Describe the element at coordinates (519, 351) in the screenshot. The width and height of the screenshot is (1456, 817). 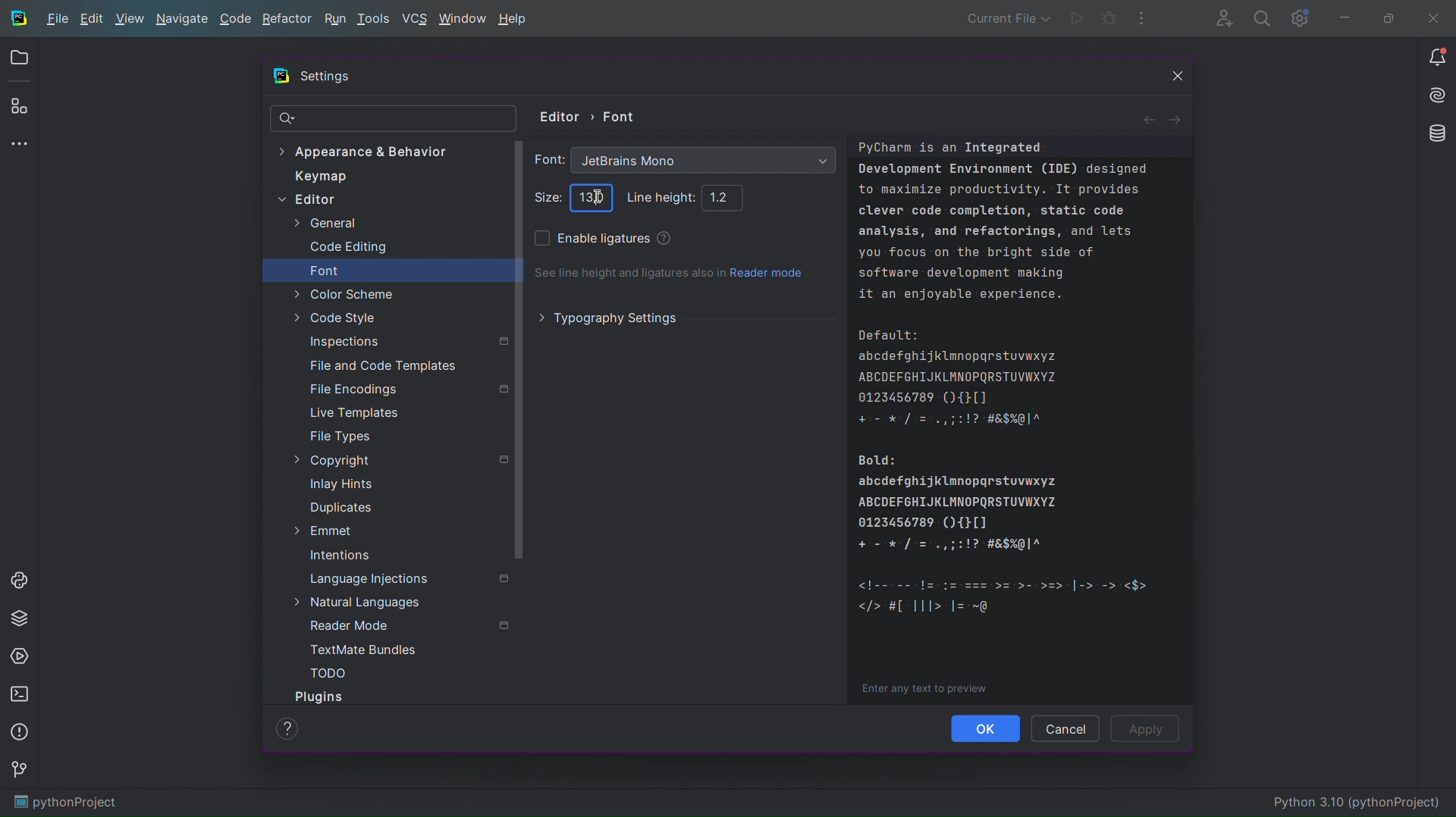
I see `Scrollbar` at that location.